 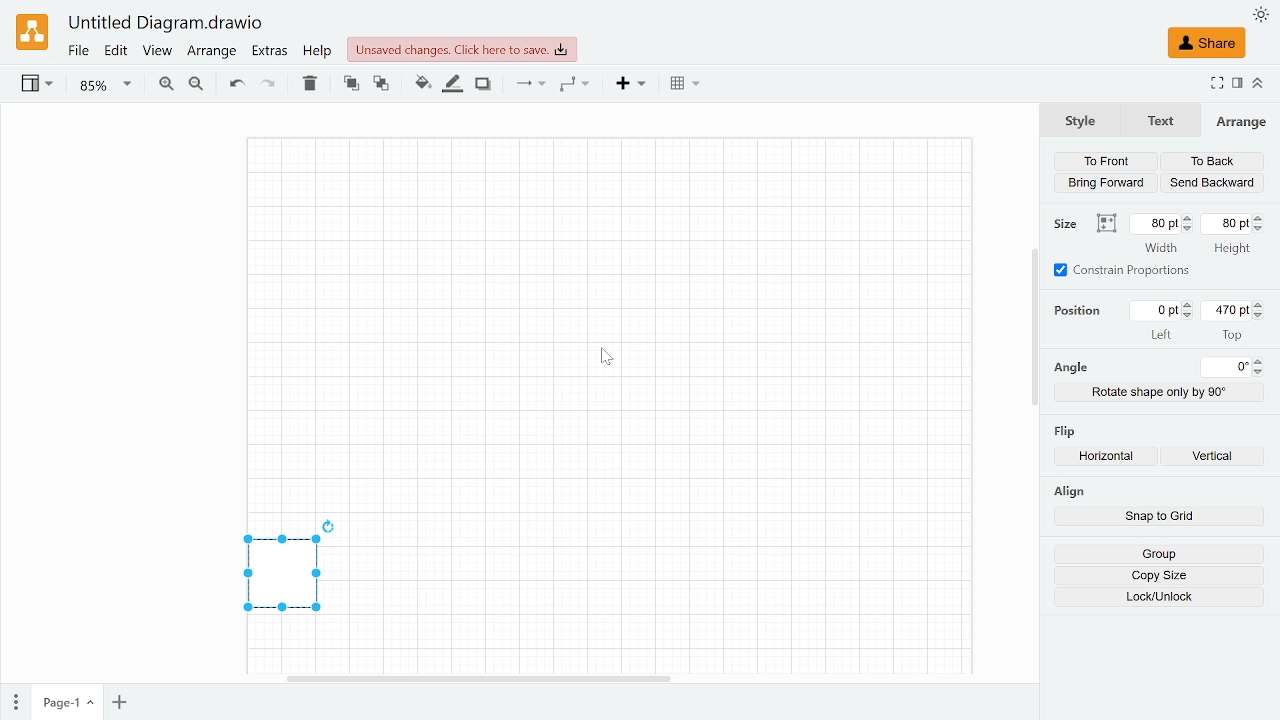 I want to click on View, so click(x=156, y=52).